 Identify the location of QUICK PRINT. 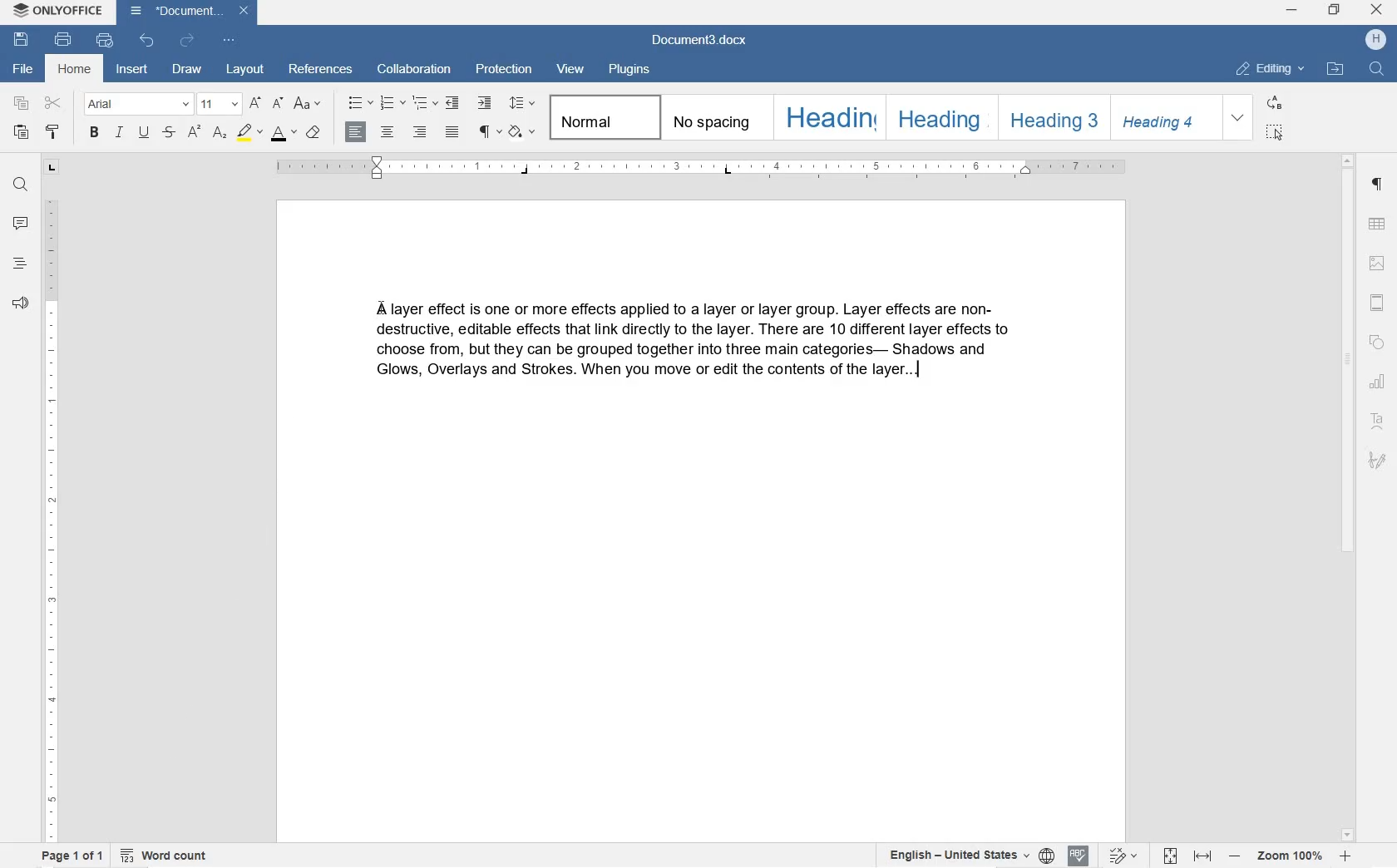
(104, 40).